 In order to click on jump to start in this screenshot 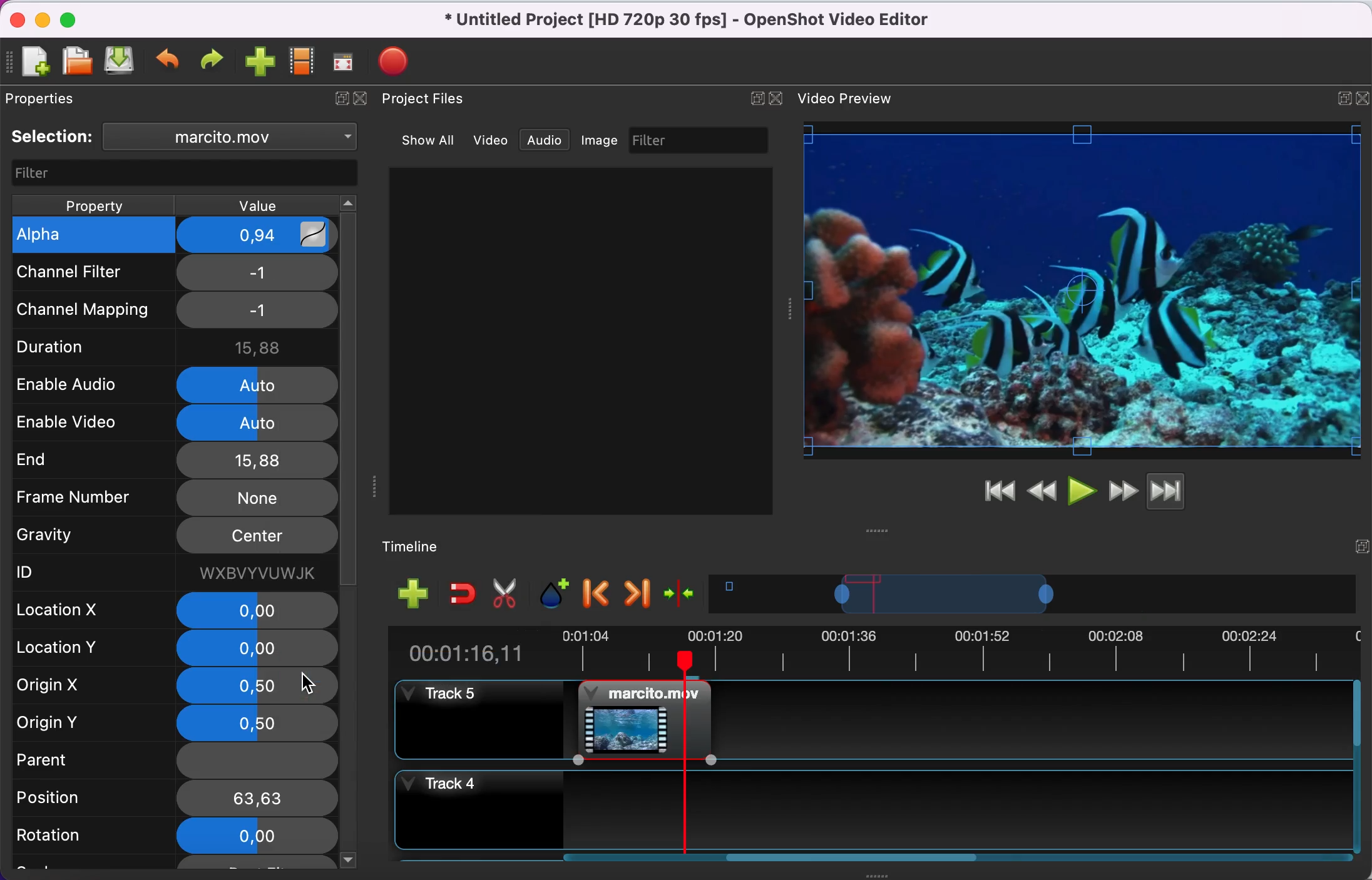, I will do `click(999, 492)`.